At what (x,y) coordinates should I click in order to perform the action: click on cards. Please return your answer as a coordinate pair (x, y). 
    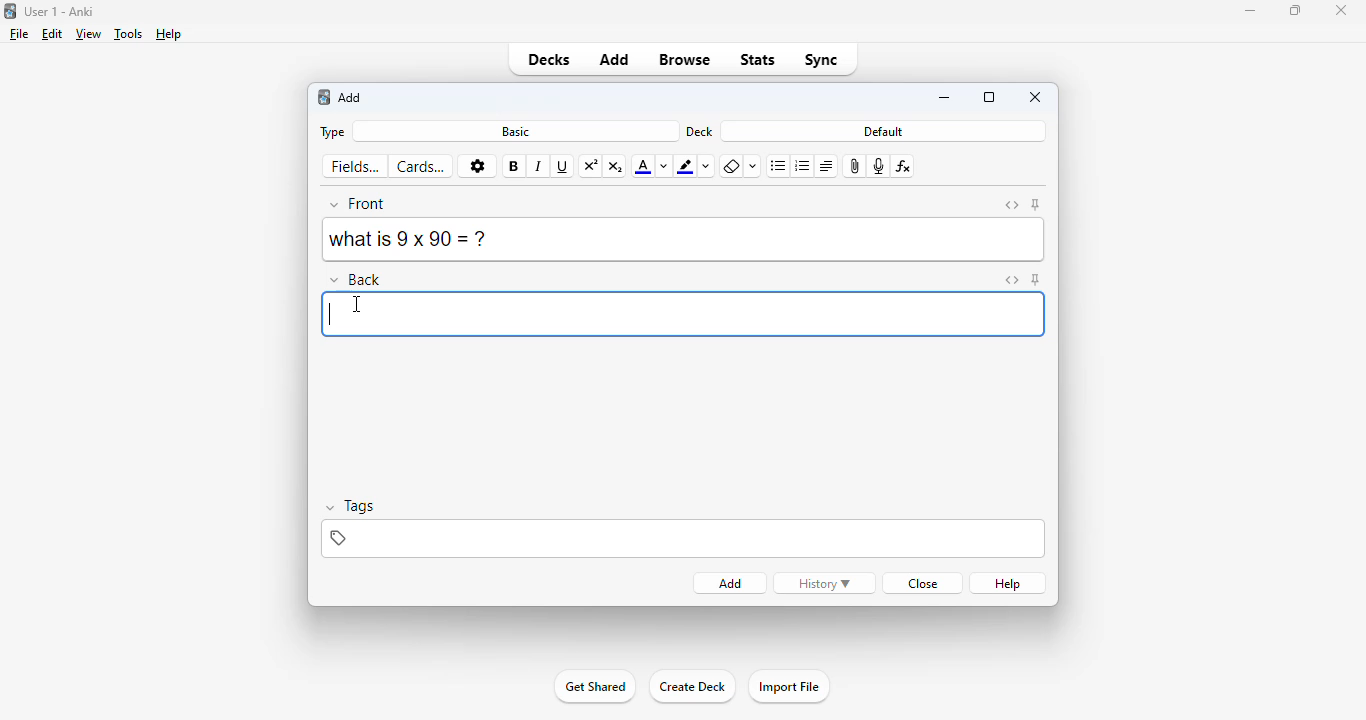
    Looking at the image, I should click on (421, 166).